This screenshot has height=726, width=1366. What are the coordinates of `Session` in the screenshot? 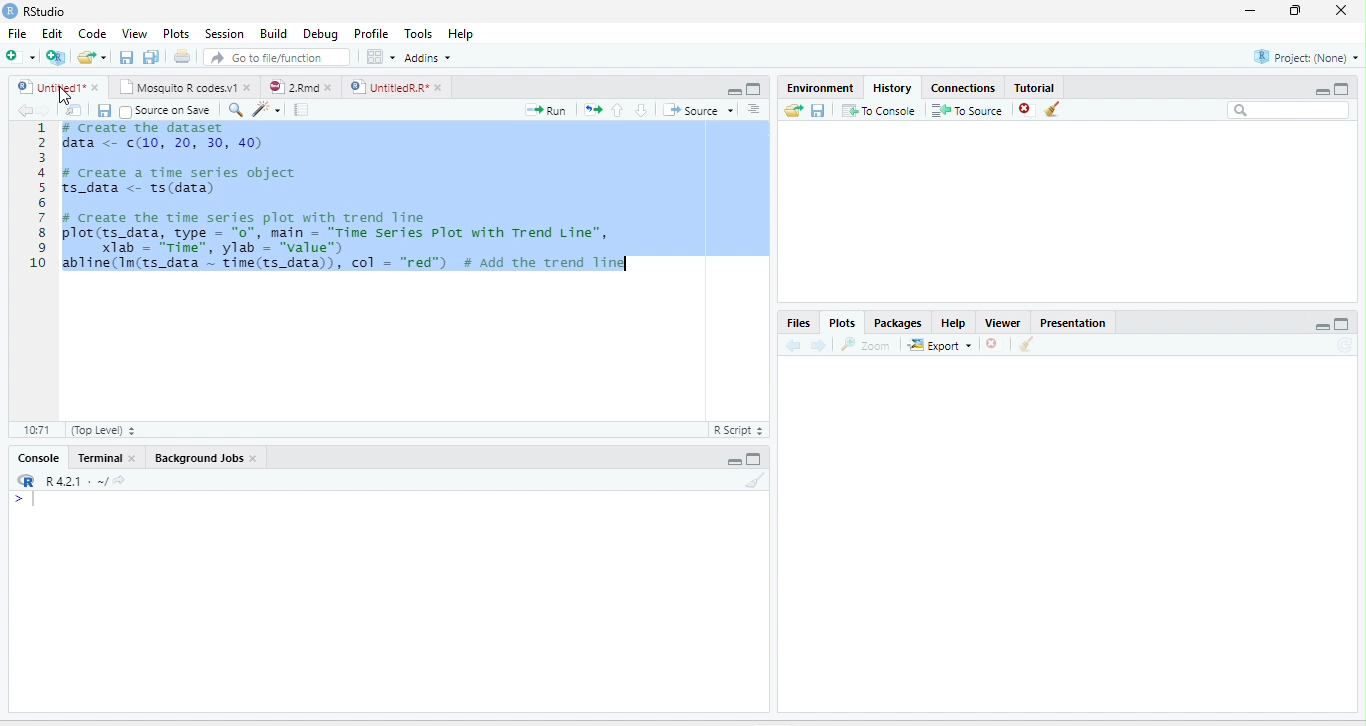 It's located at (225, 33).